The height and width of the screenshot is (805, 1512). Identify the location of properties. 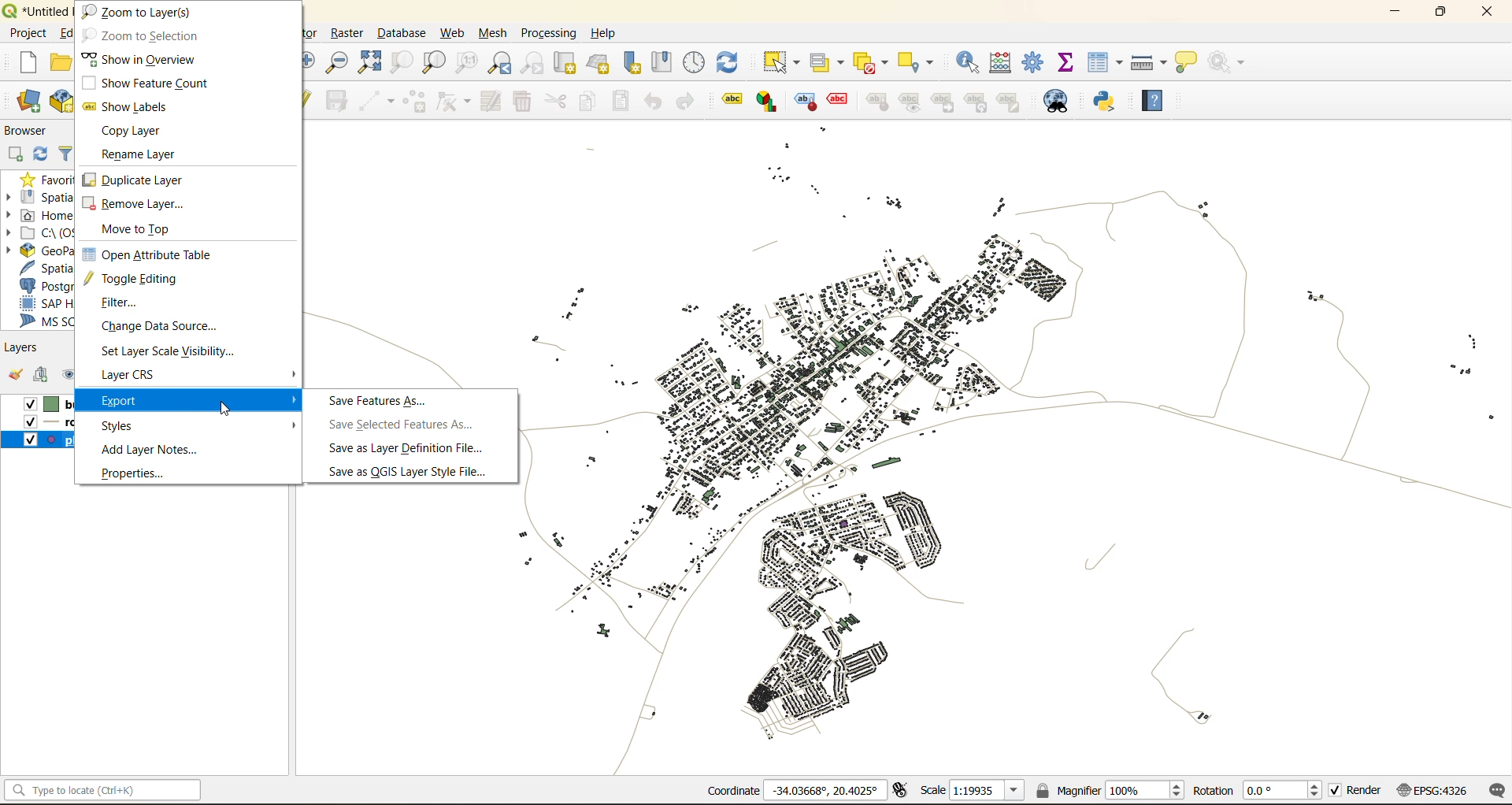
(140, 473).